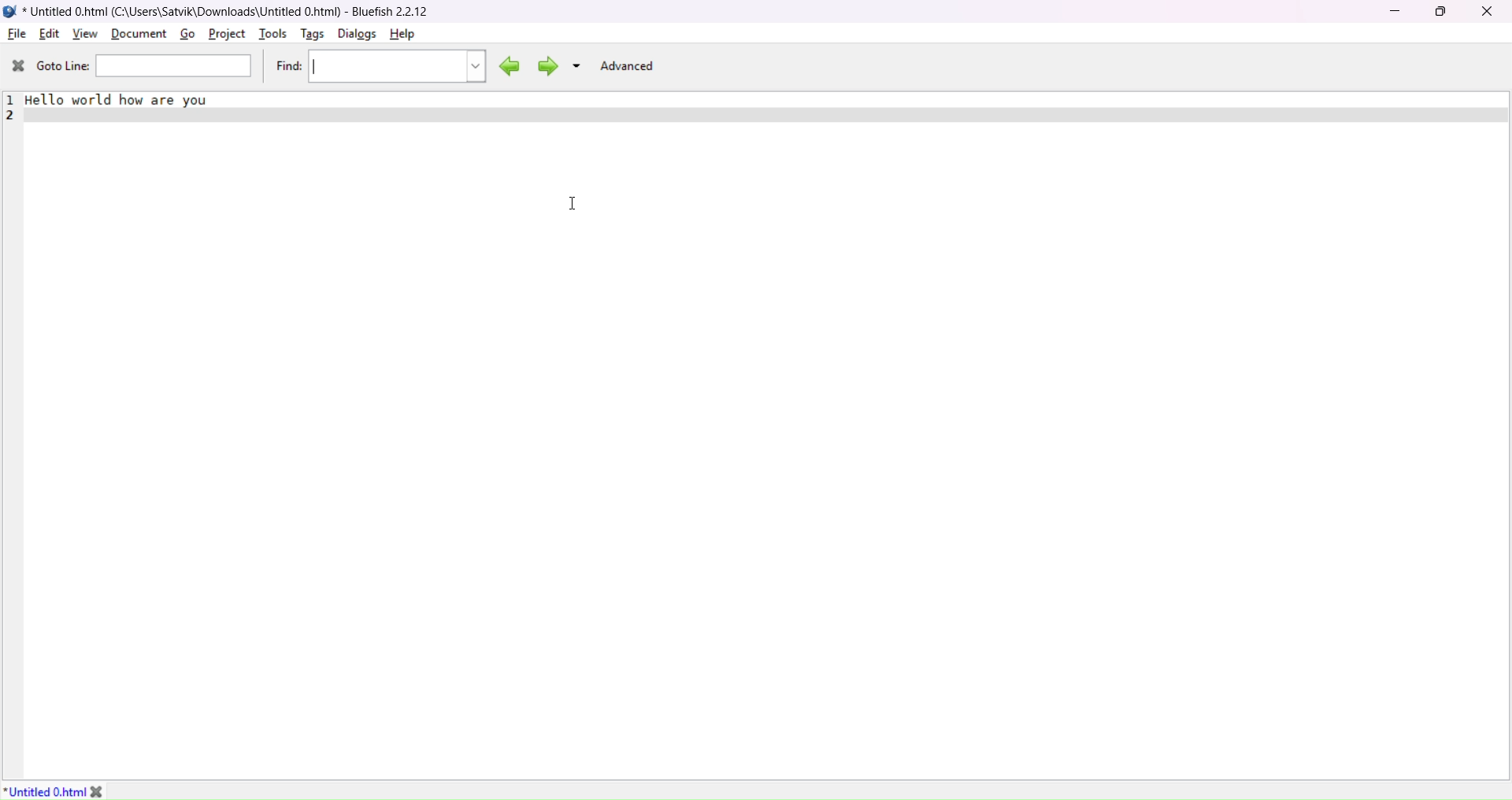  What do you see at coordinates (186, 33) in the screenshot?
I see `go` at bounding box center [186, 33].